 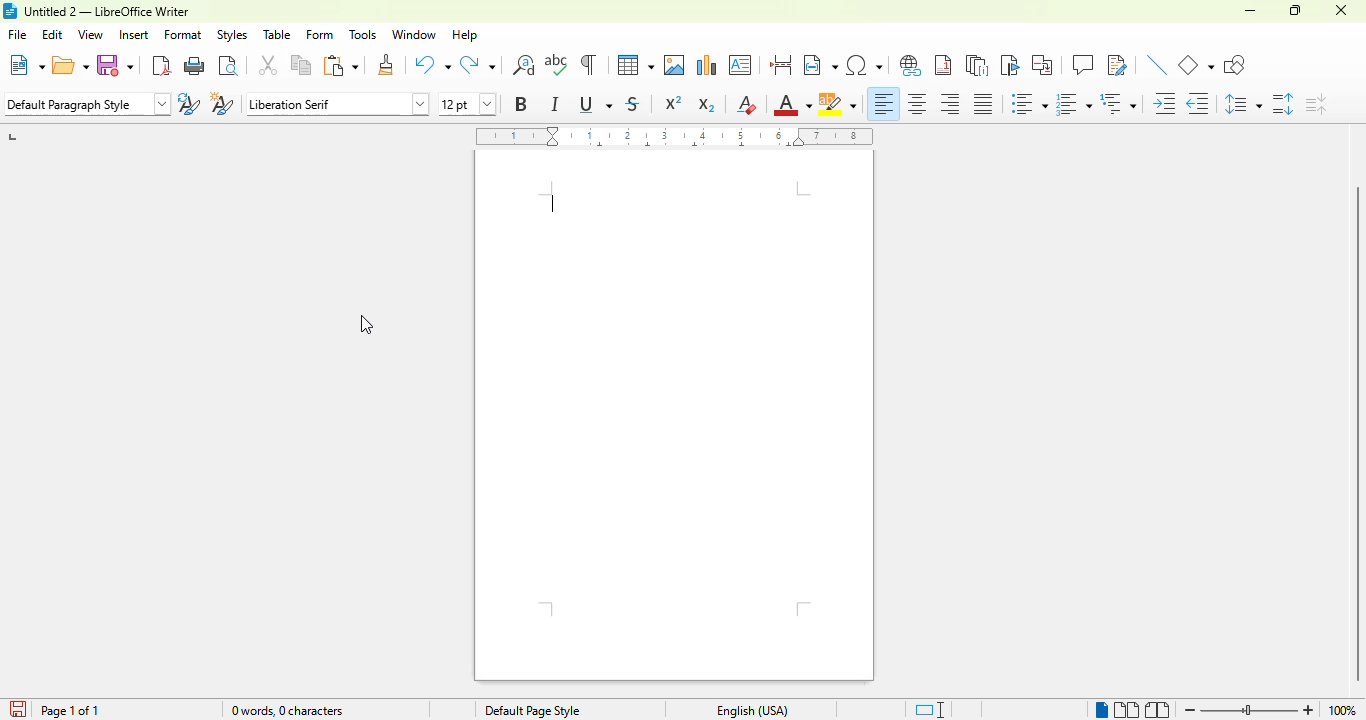 I want to click on increase paragraph spacing, so click(x=1283, y=103).